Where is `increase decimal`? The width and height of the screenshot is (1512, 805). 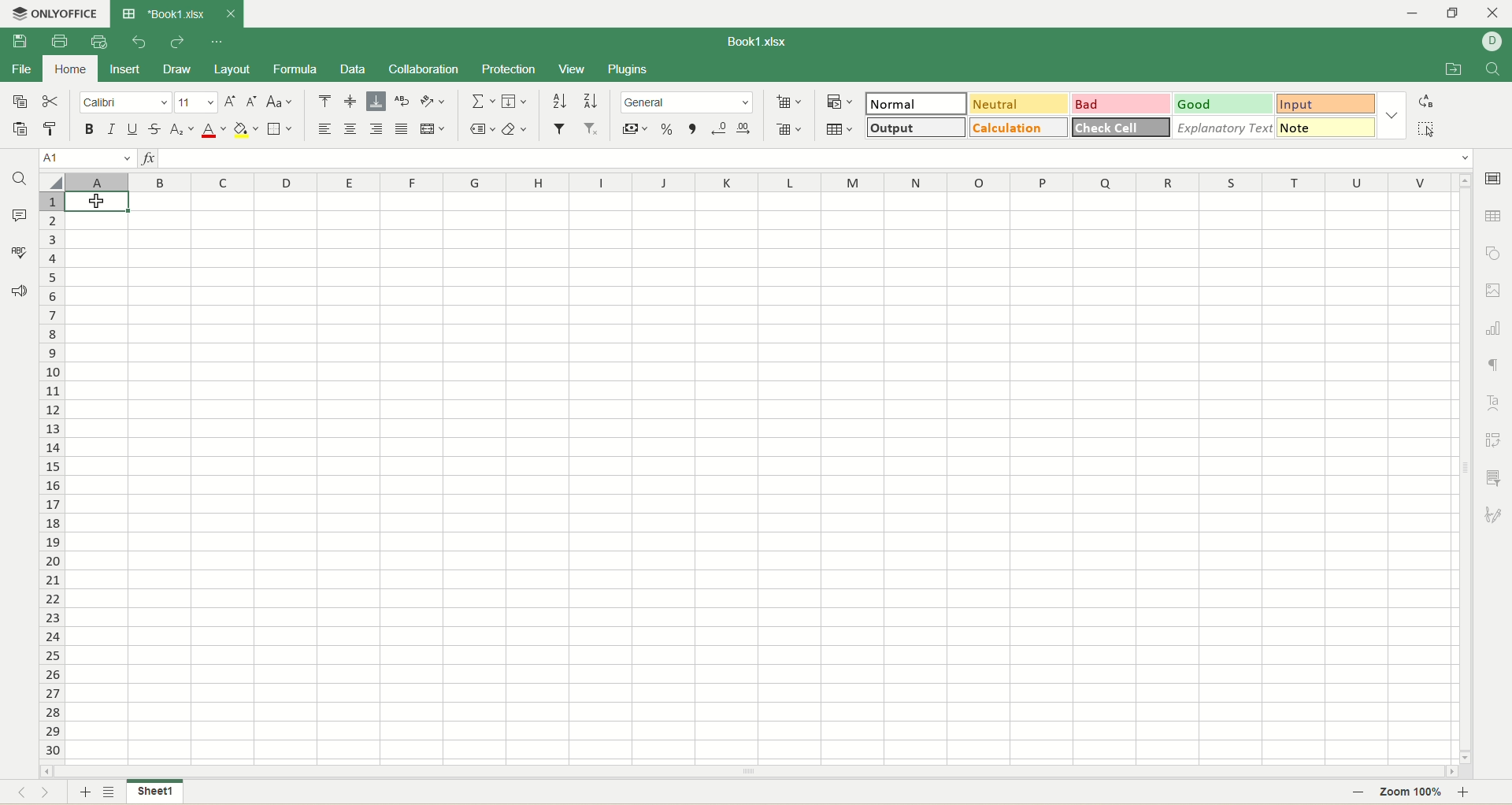
increase decimal is located at coordinates (743, 128).